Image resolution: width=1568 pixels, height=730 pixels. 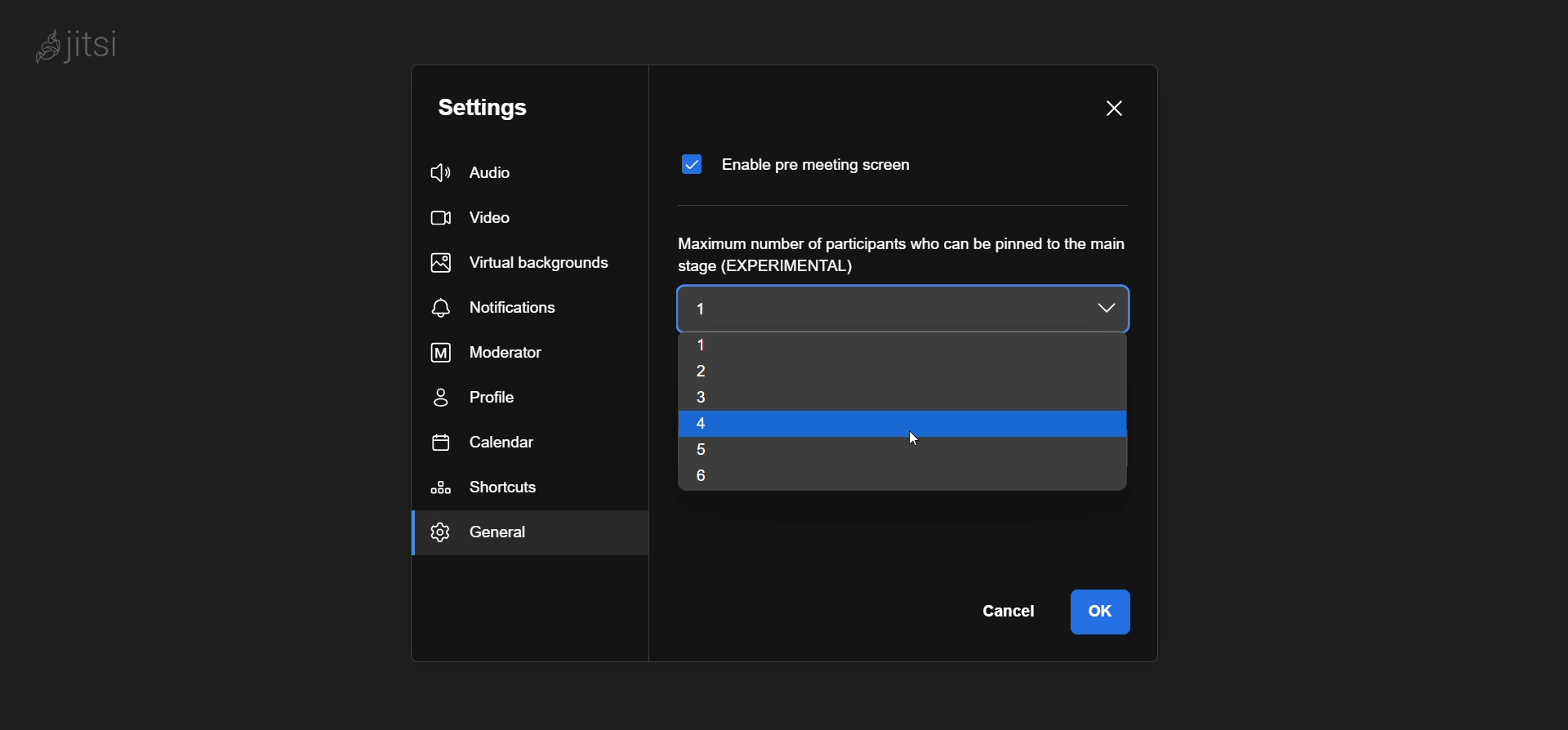 I want to click on 2, so click(x=738, y=372).